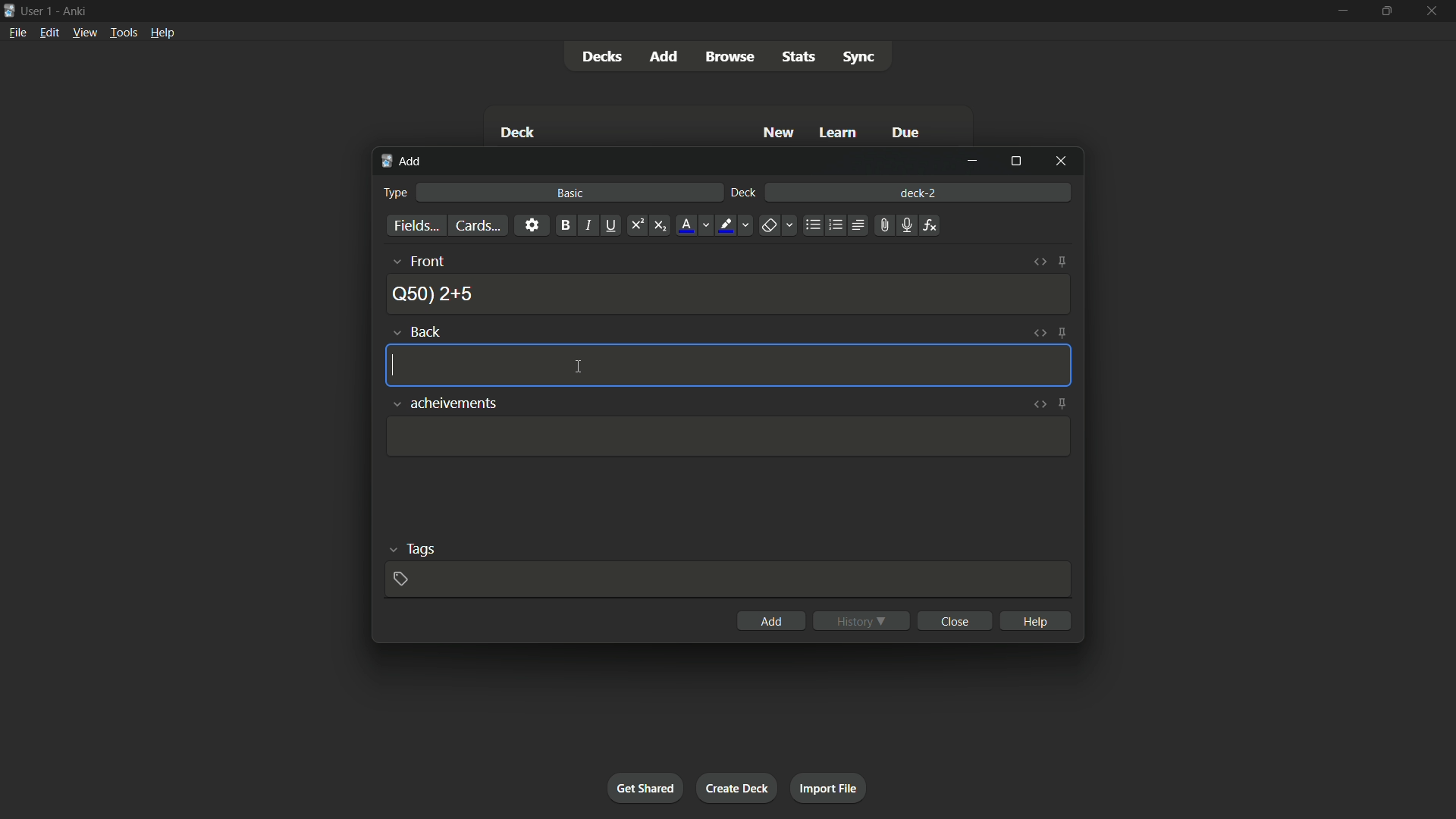 The image size is (1456, 819). Describe the element at coordinates (49, 33) in the screenshot. I see `edit menu` at that location.